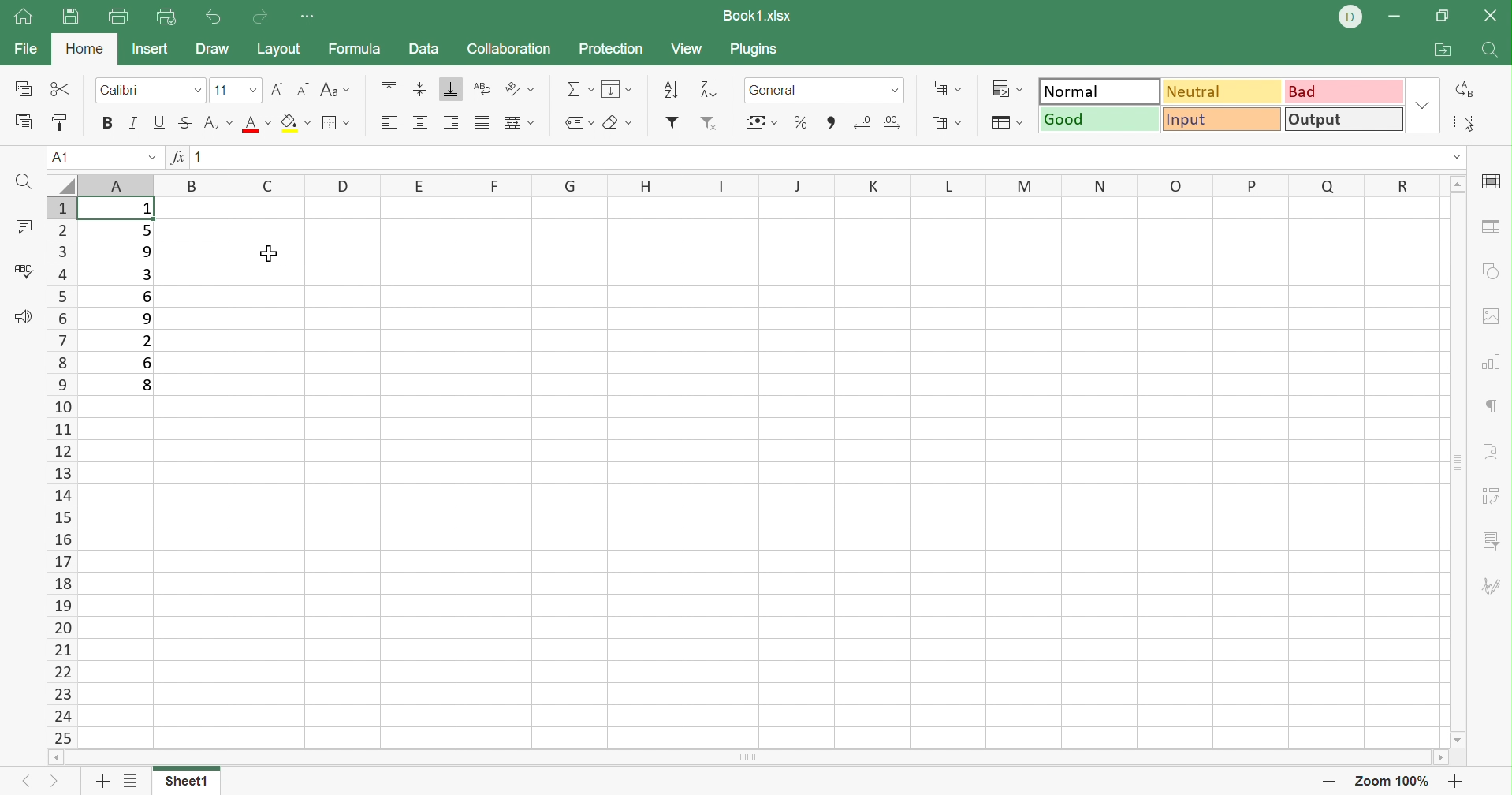 The image size is (1512, 795). What do you see at coordinates (1494, 446) in the screenshot?
I see `Text Art settings` at bounding box center [1494, 446].